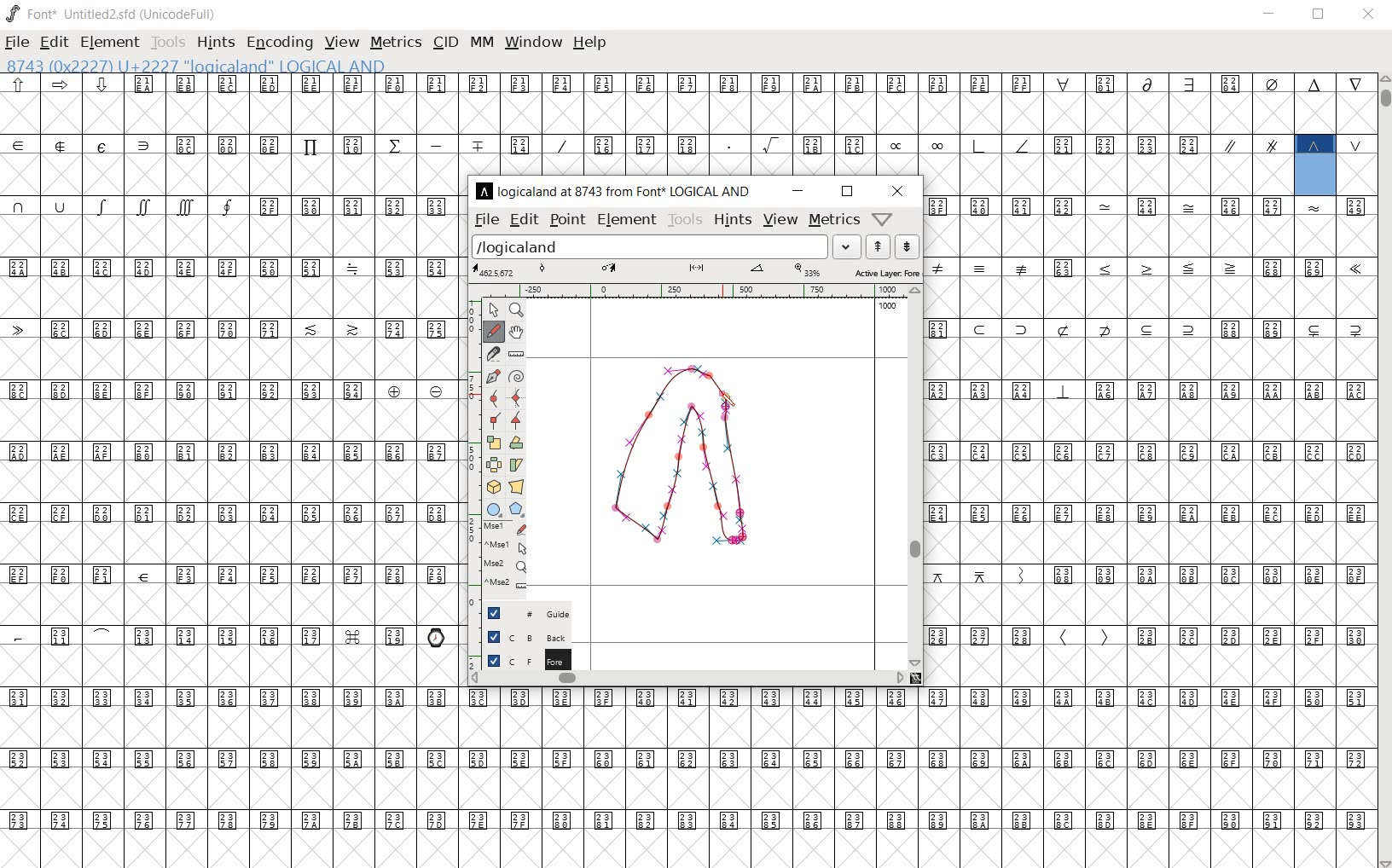 This screenshot has width=1392, height=868. What do you see at coordinates (780, 219) in the screenshot?
I see `view` at bounding box center [780, 219].